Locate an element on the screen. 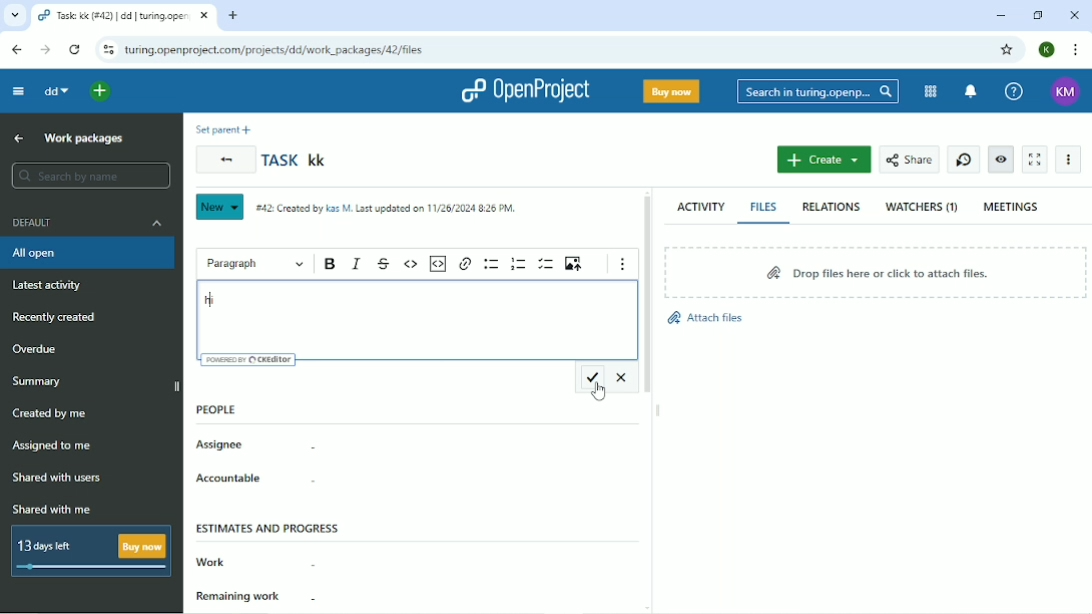 This screenshot has height=614, width=1092. Back is located at coordinates (225, 159).